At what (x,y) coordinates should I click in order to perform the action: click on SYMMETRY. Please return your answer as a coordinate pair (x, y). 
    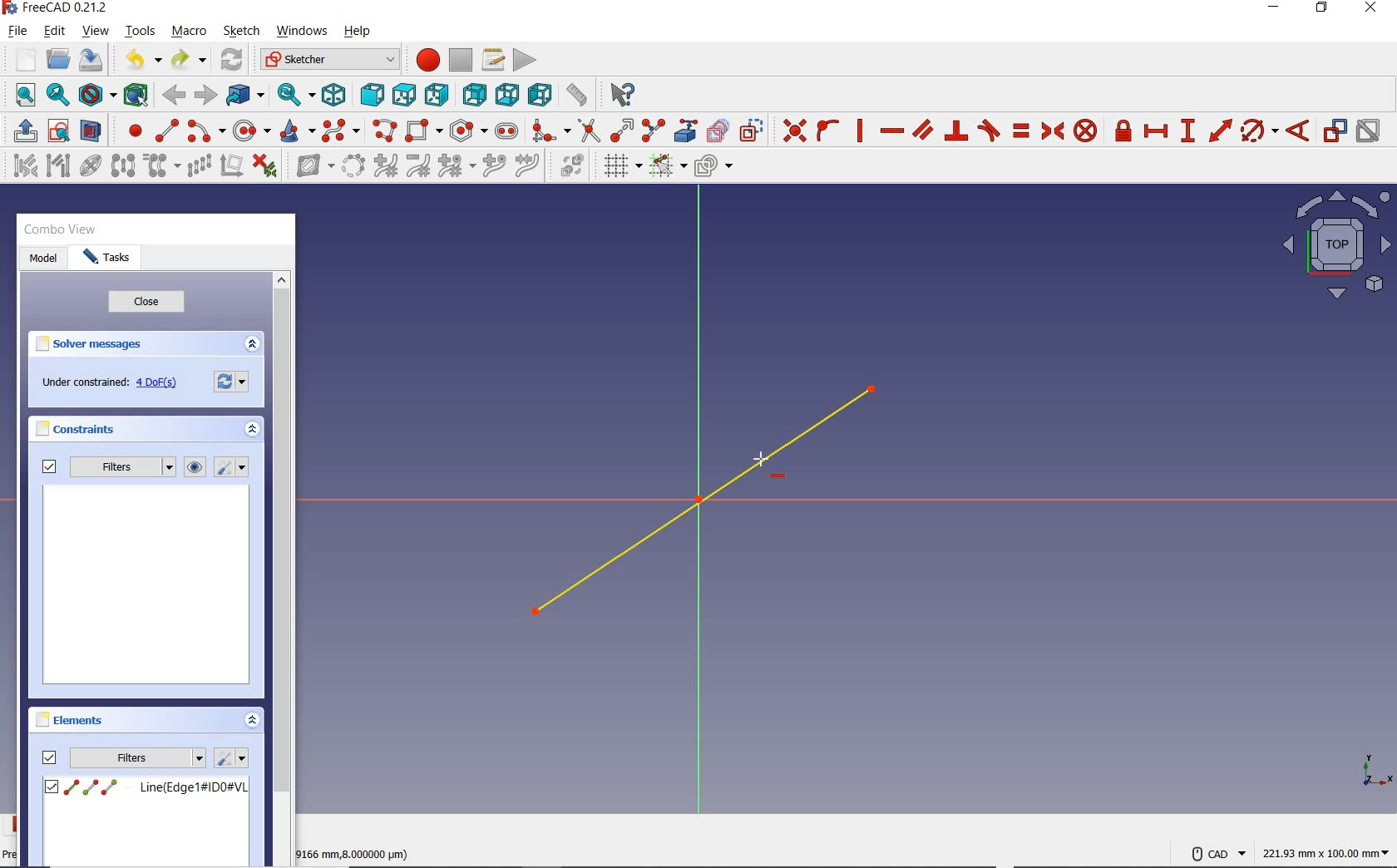
    Looking at the image, I should click on (123, 165).